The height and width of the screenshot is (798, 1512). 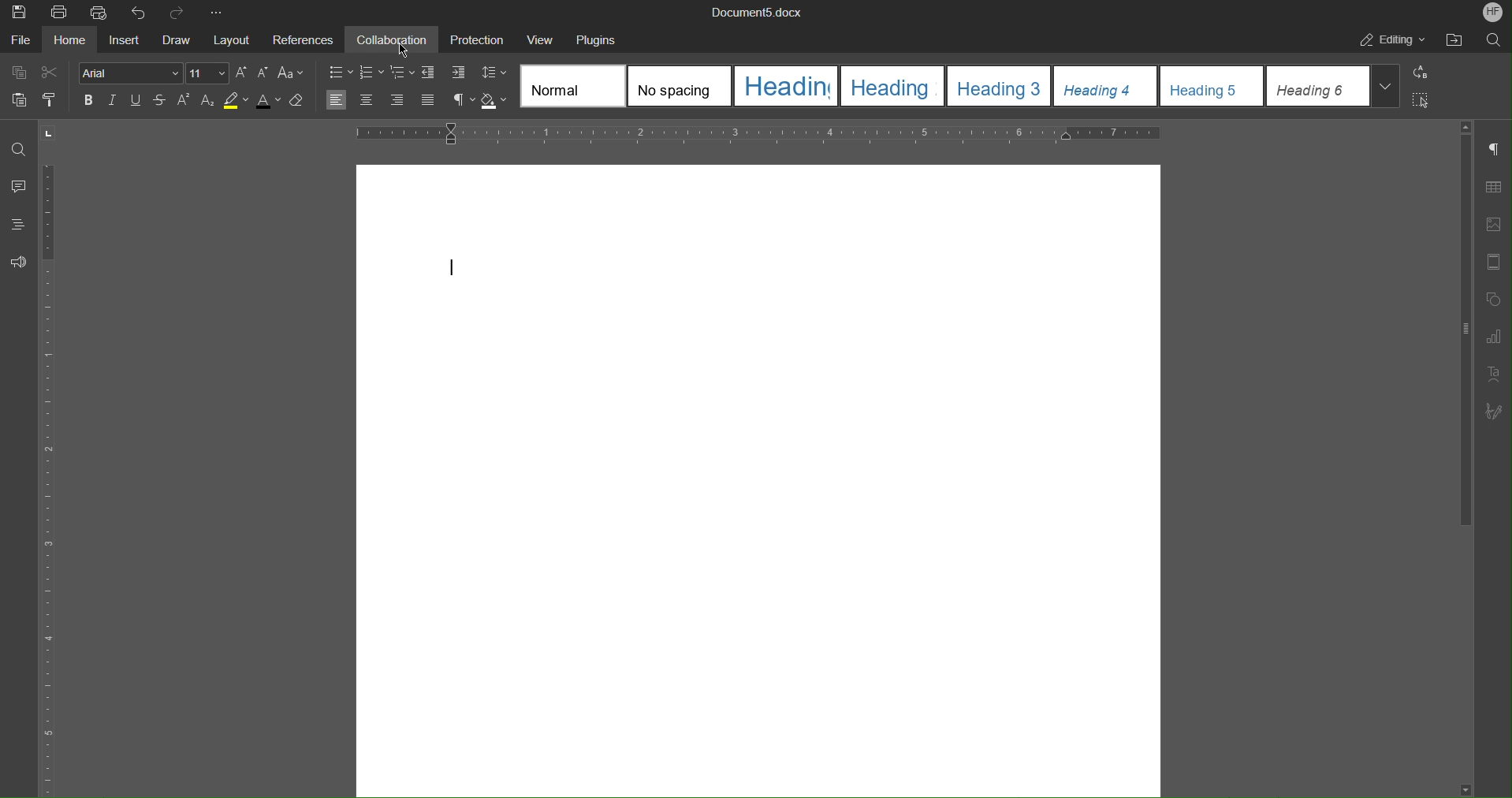 I want to click on Undo, so click(x=136, y=12).